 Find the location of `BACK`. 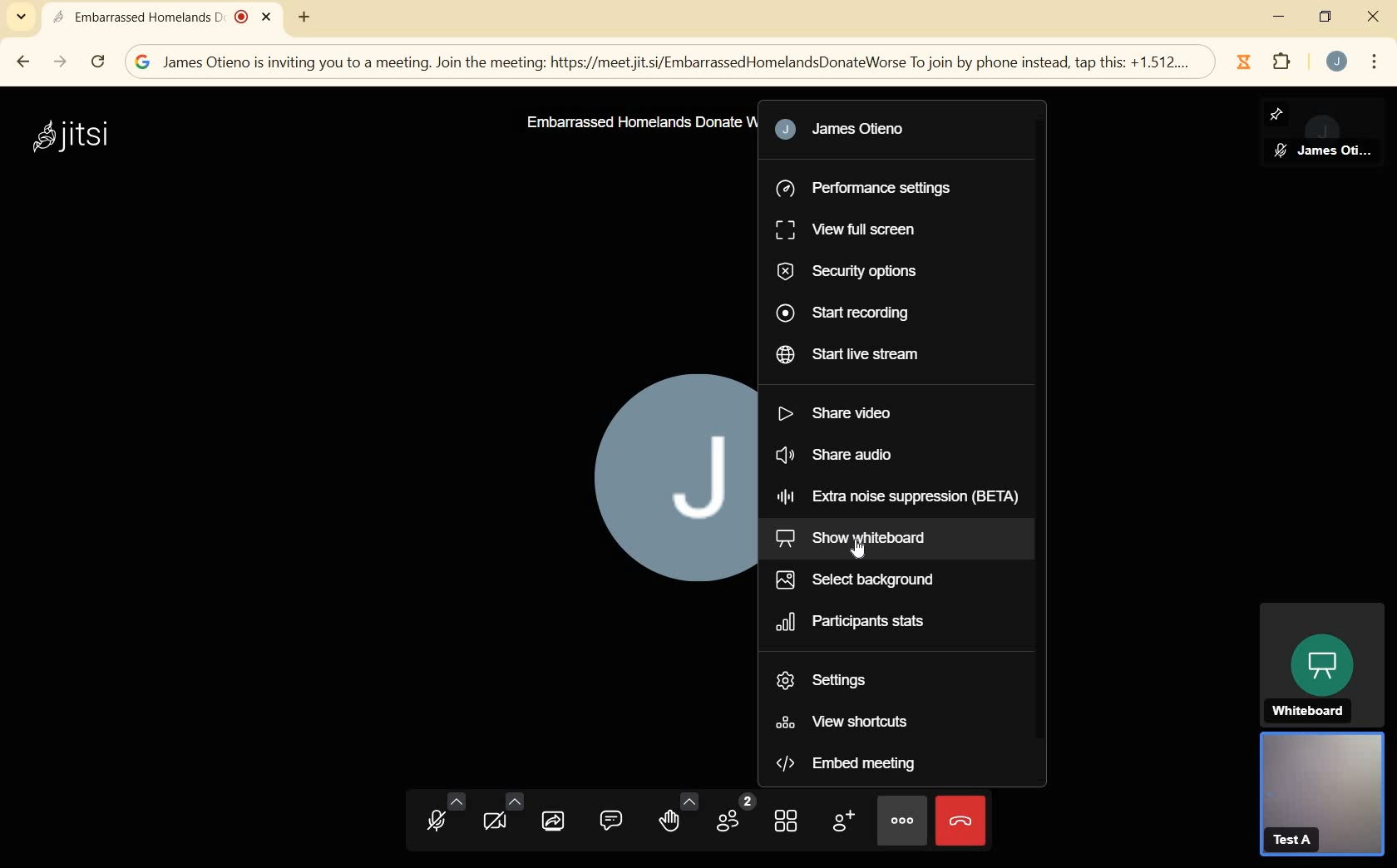

BACK is located at coordinates (25, 60).